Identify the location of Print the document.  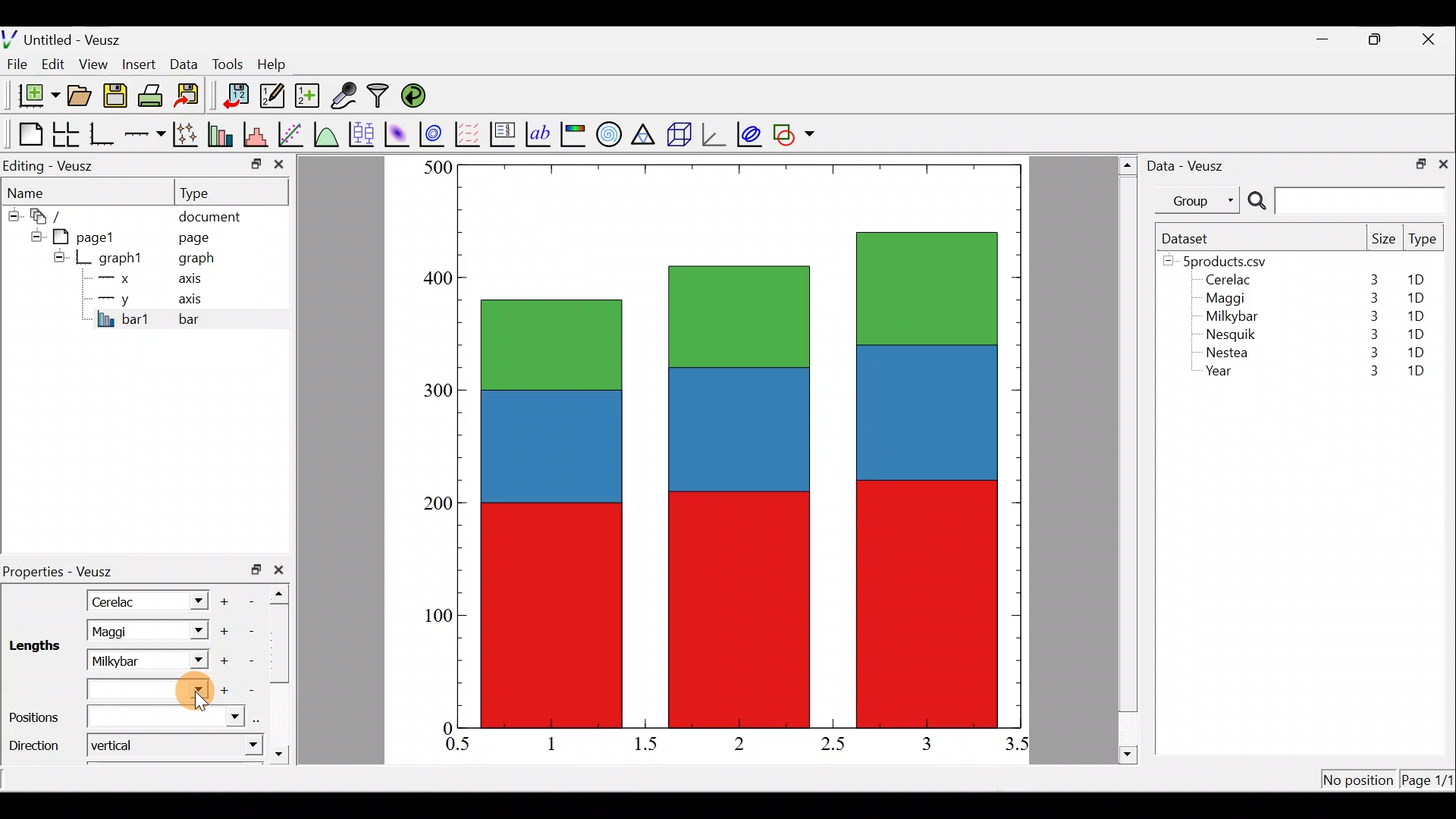
(155, 95).